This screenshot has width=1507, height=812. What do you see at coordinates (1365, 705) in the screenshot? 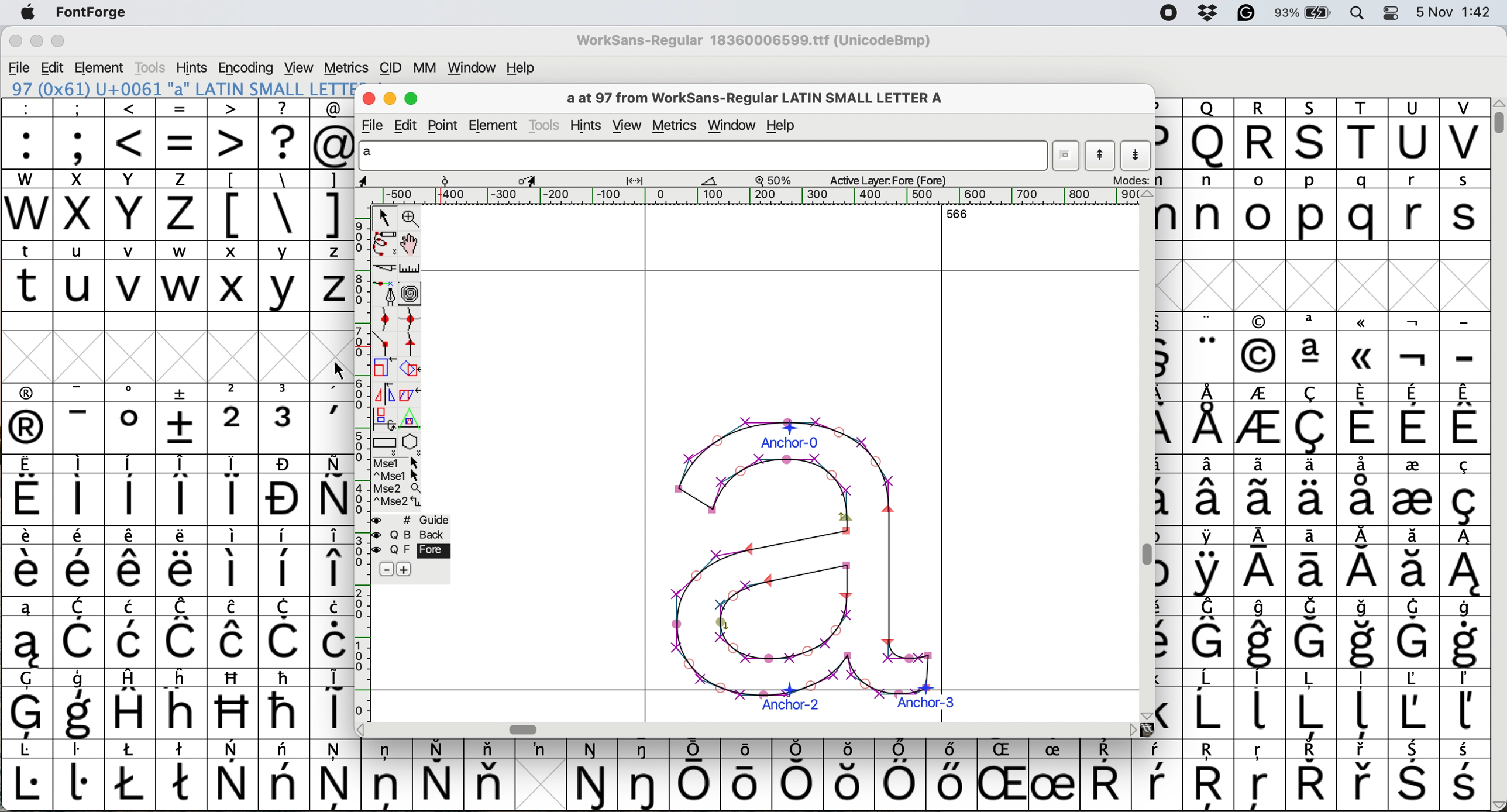
I see `symbol` at bounding box center [1365, 705].